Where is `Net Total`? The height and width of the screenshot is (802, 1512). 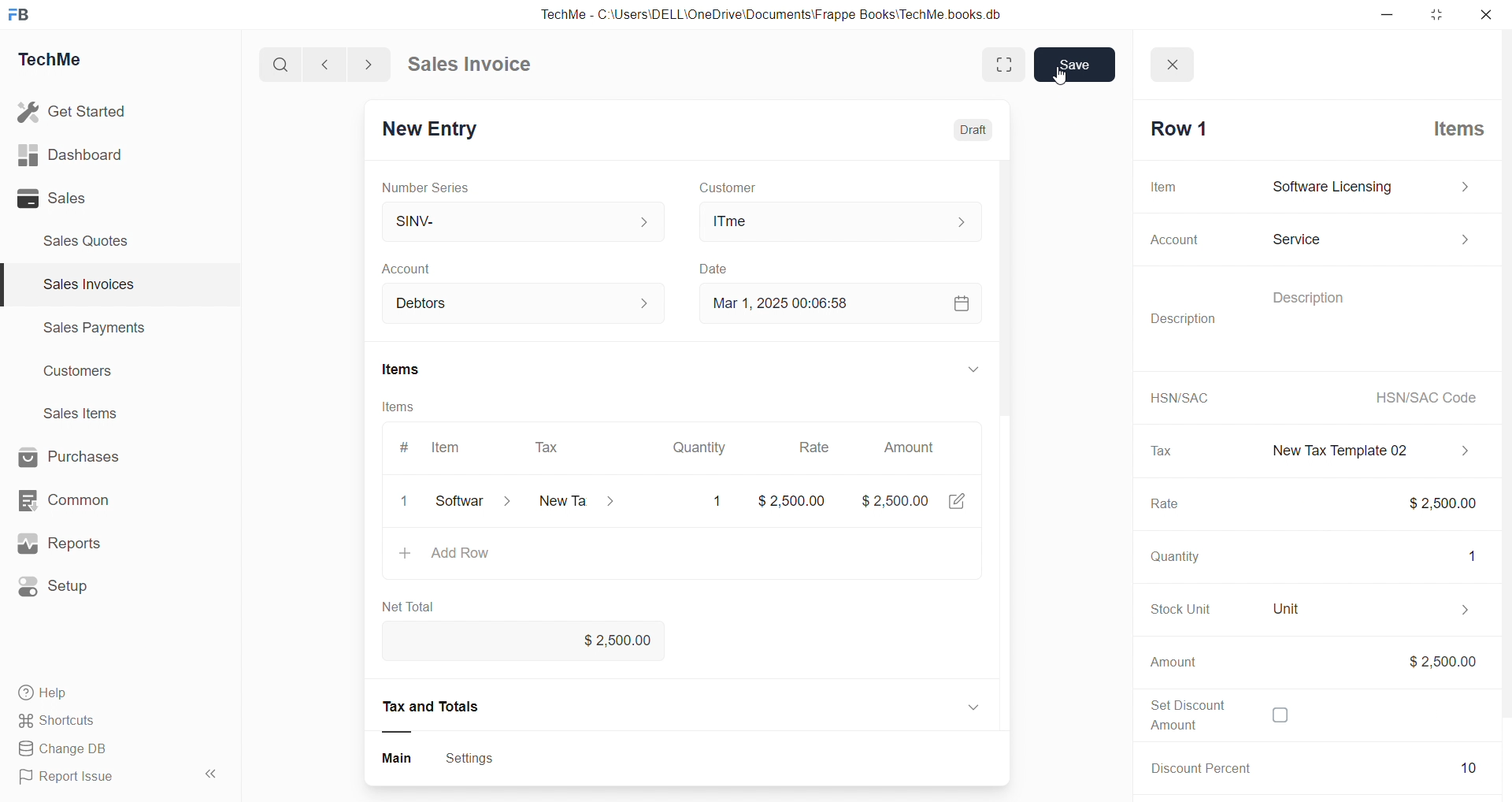
Net Total is located at coordinates (413, 607).